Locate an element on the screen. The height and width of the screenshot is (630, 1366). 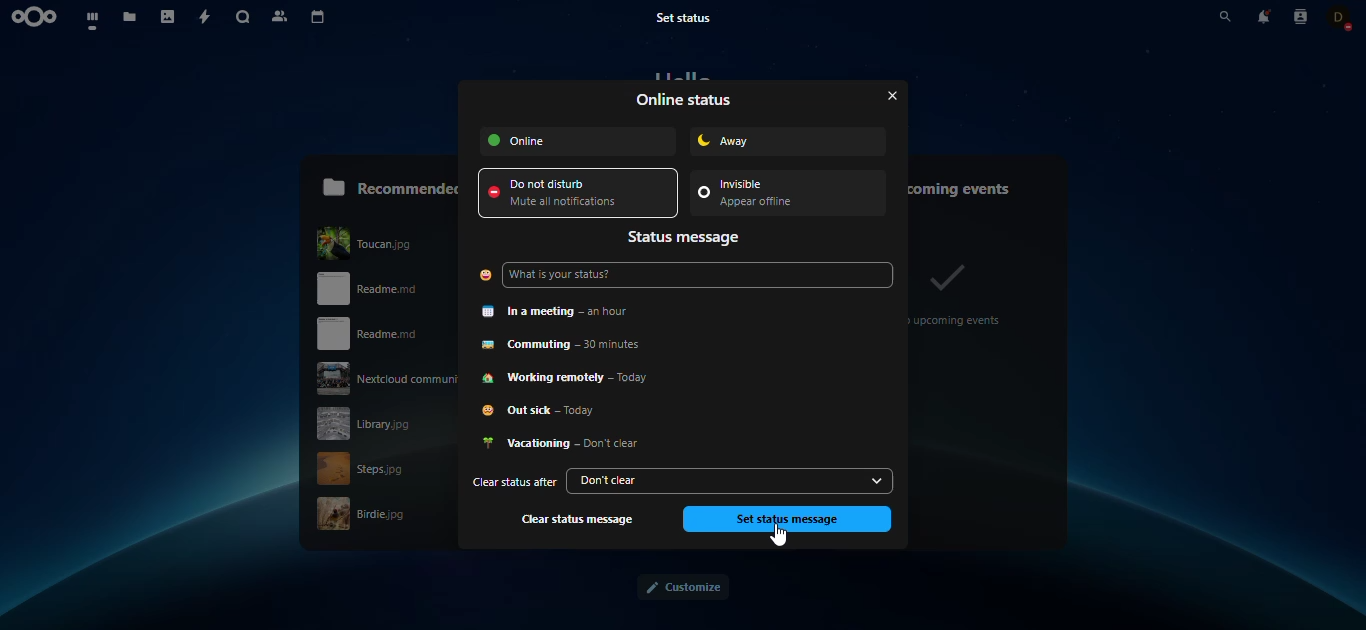
out sick is located at coordinates (550, 413).